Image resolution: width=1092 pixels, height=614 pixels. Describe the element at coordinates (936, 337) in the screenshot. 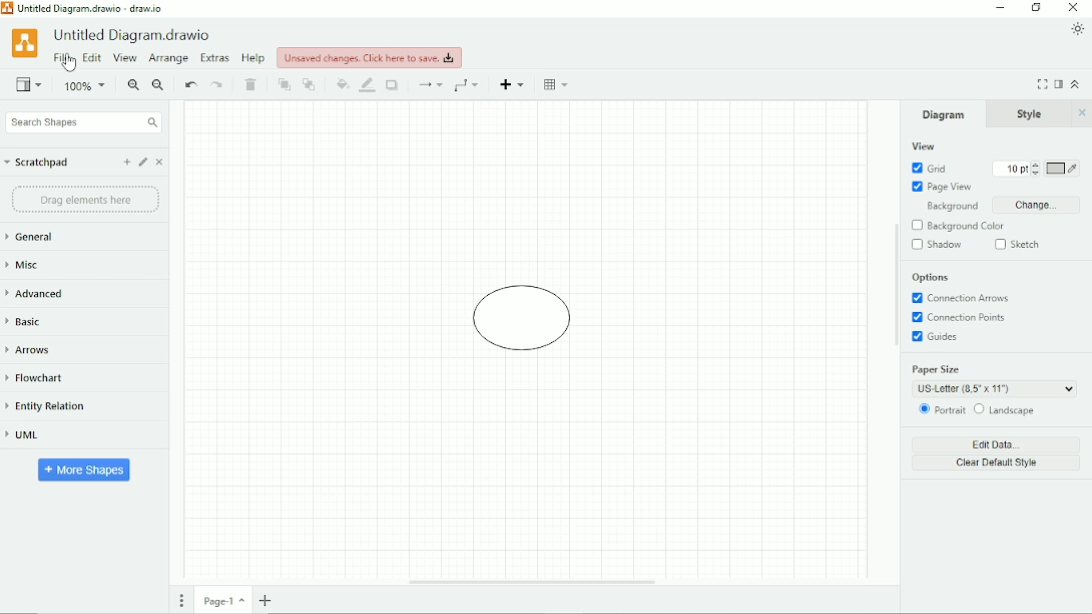

I see `Guides` at that location.